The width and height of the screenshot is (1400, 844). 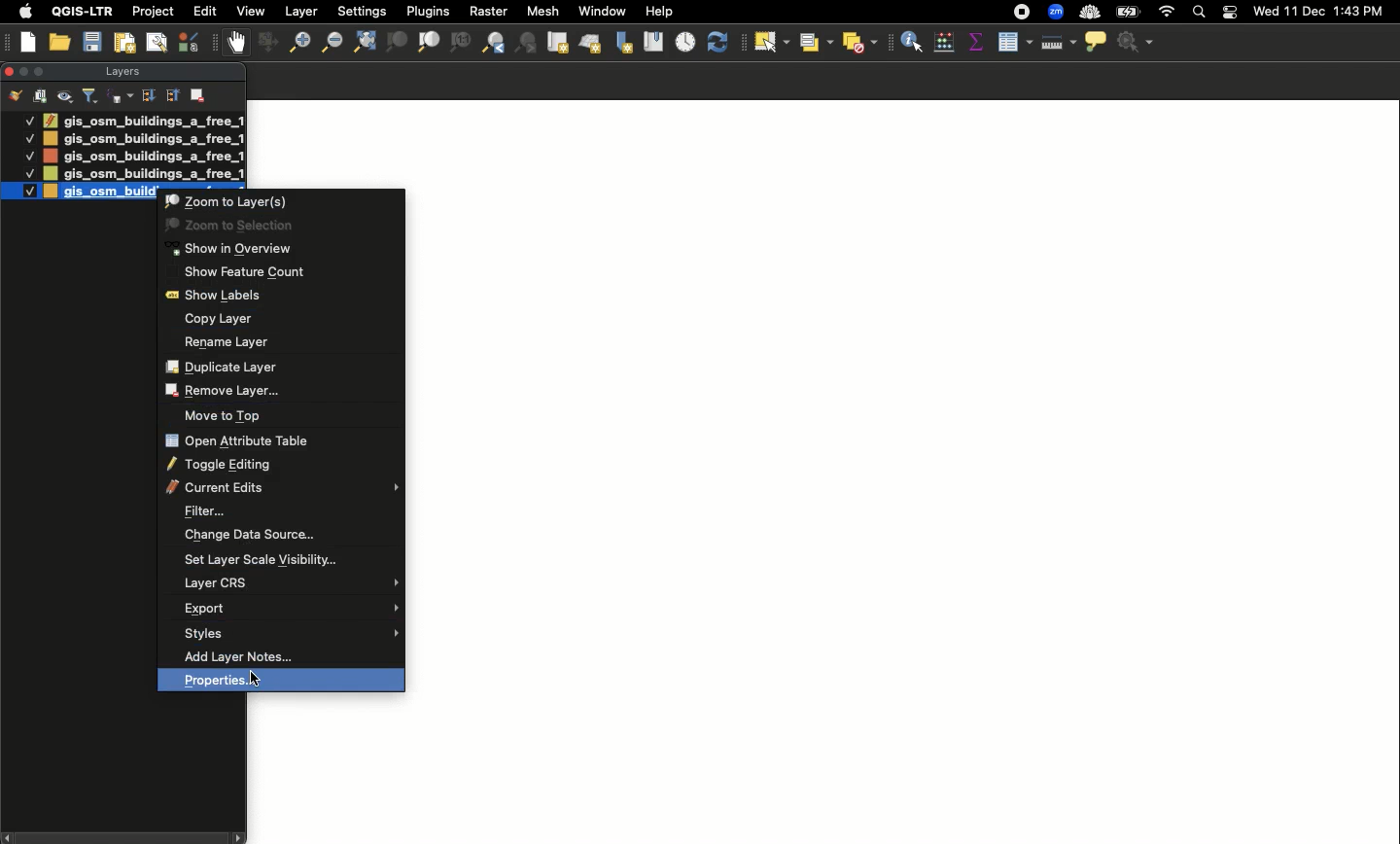 What do you see at coordinates (292, 634) in the screenshot?
I see `Styles` at bounding box center [292, 634].